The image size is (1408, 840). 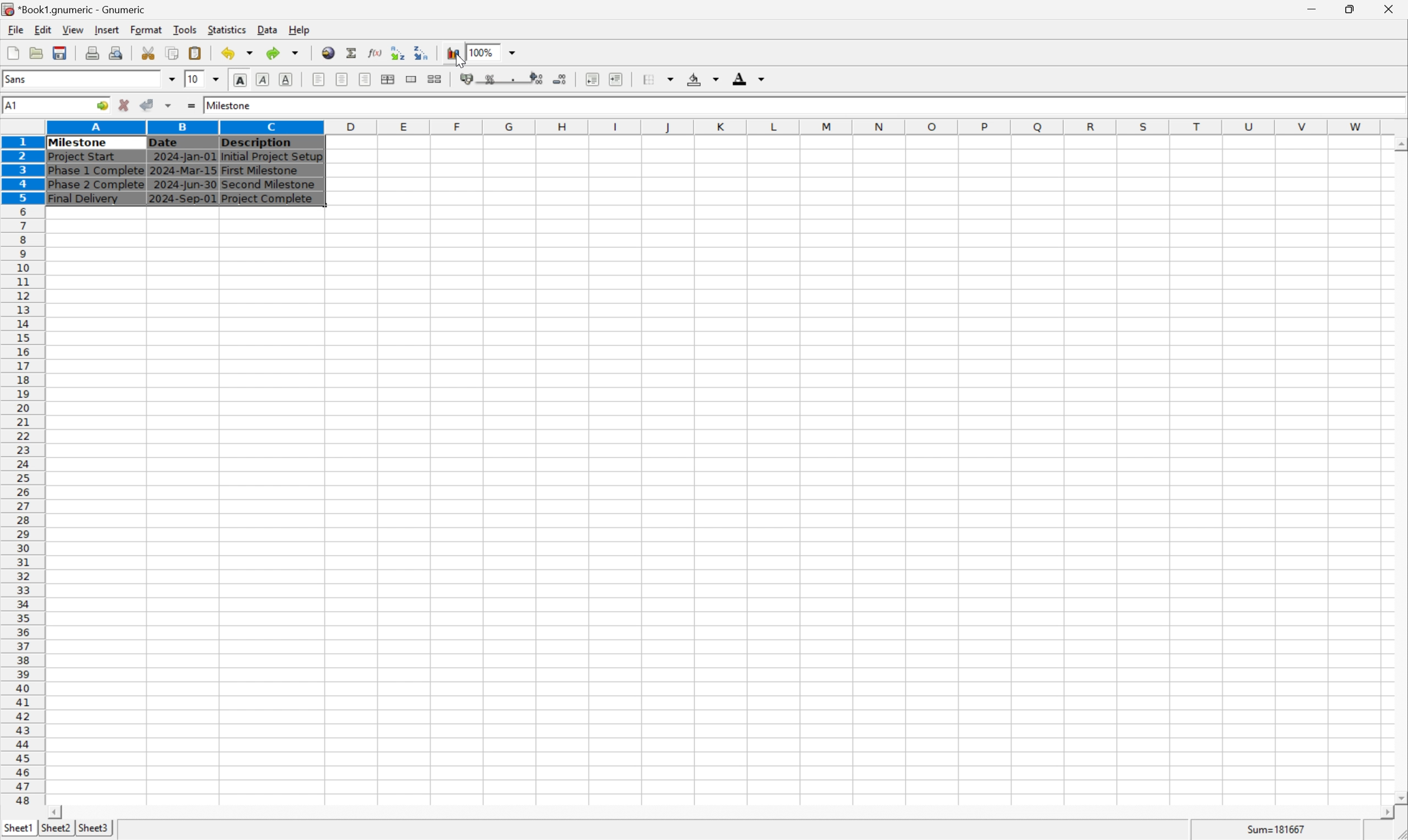 I want to click on view, so click(x=72, y=30).